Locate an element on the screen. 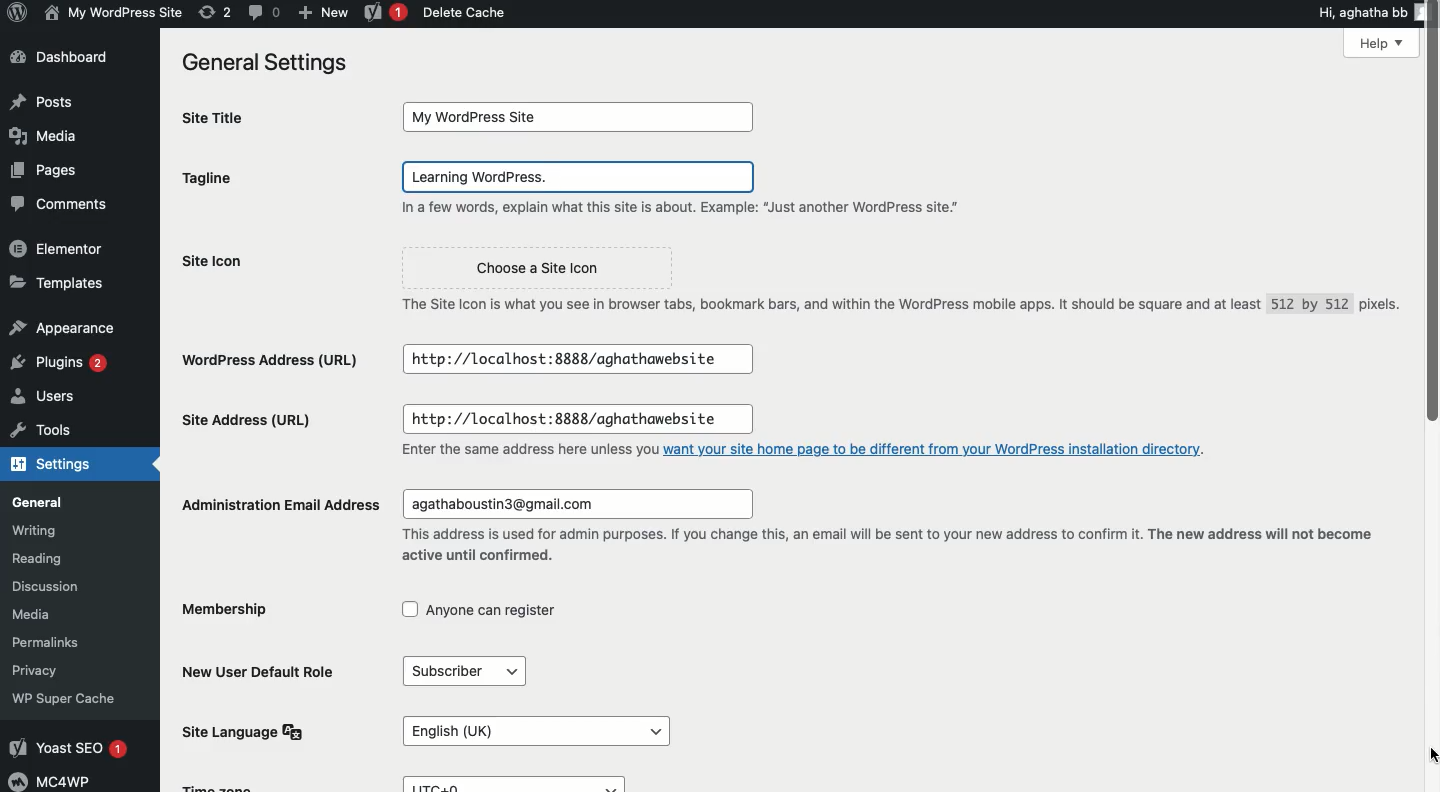 Image resolution: width=1440 pixels, height=792 pixels. Media is located at coordinates (51, 135).